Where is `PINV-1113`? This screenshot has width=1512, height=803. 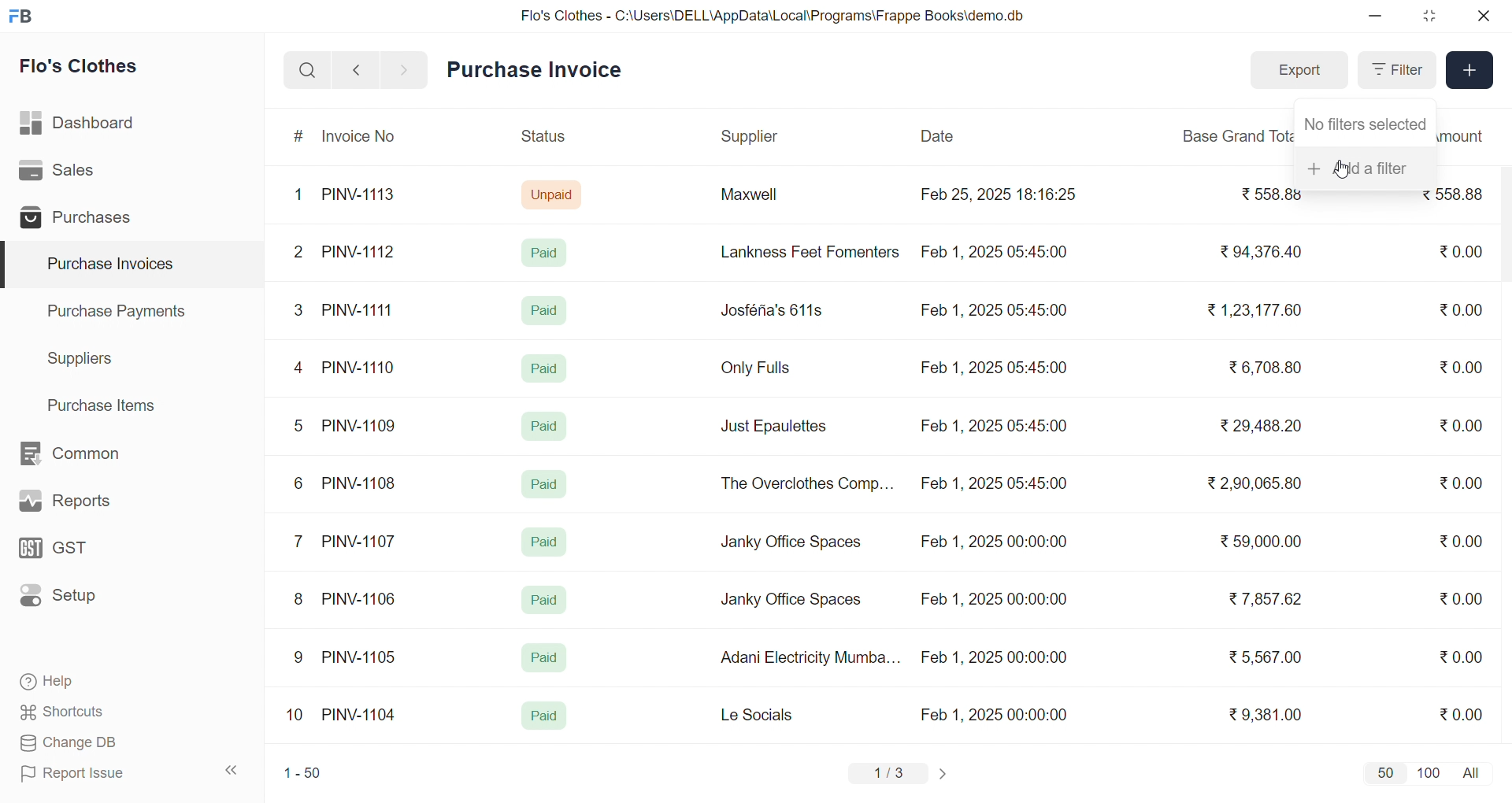 PINV-1113 is located at coordinates (365, 196).